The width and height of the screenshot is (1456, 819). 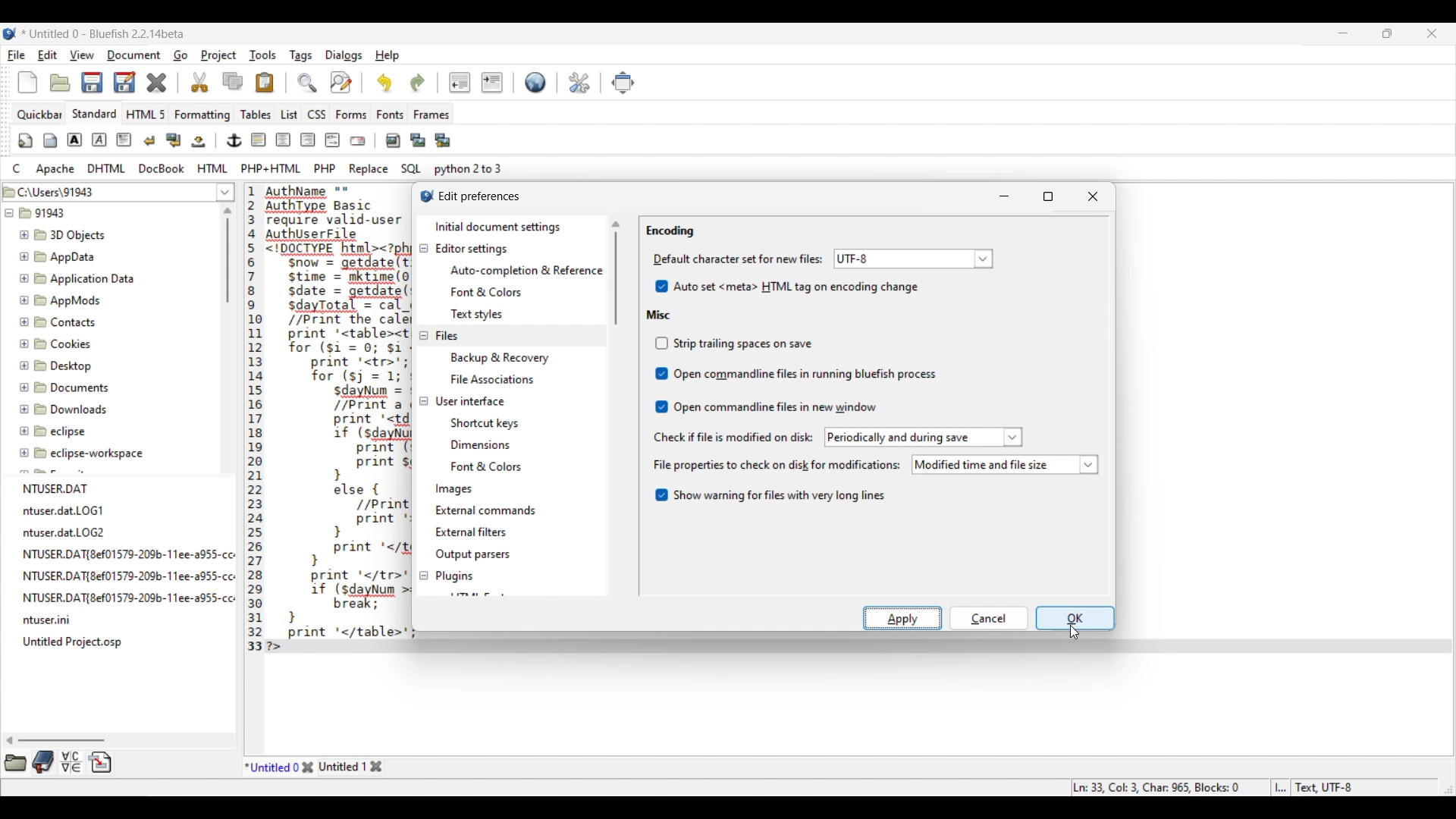 I want to click on Editor setting options, so click(x=526, y=293).